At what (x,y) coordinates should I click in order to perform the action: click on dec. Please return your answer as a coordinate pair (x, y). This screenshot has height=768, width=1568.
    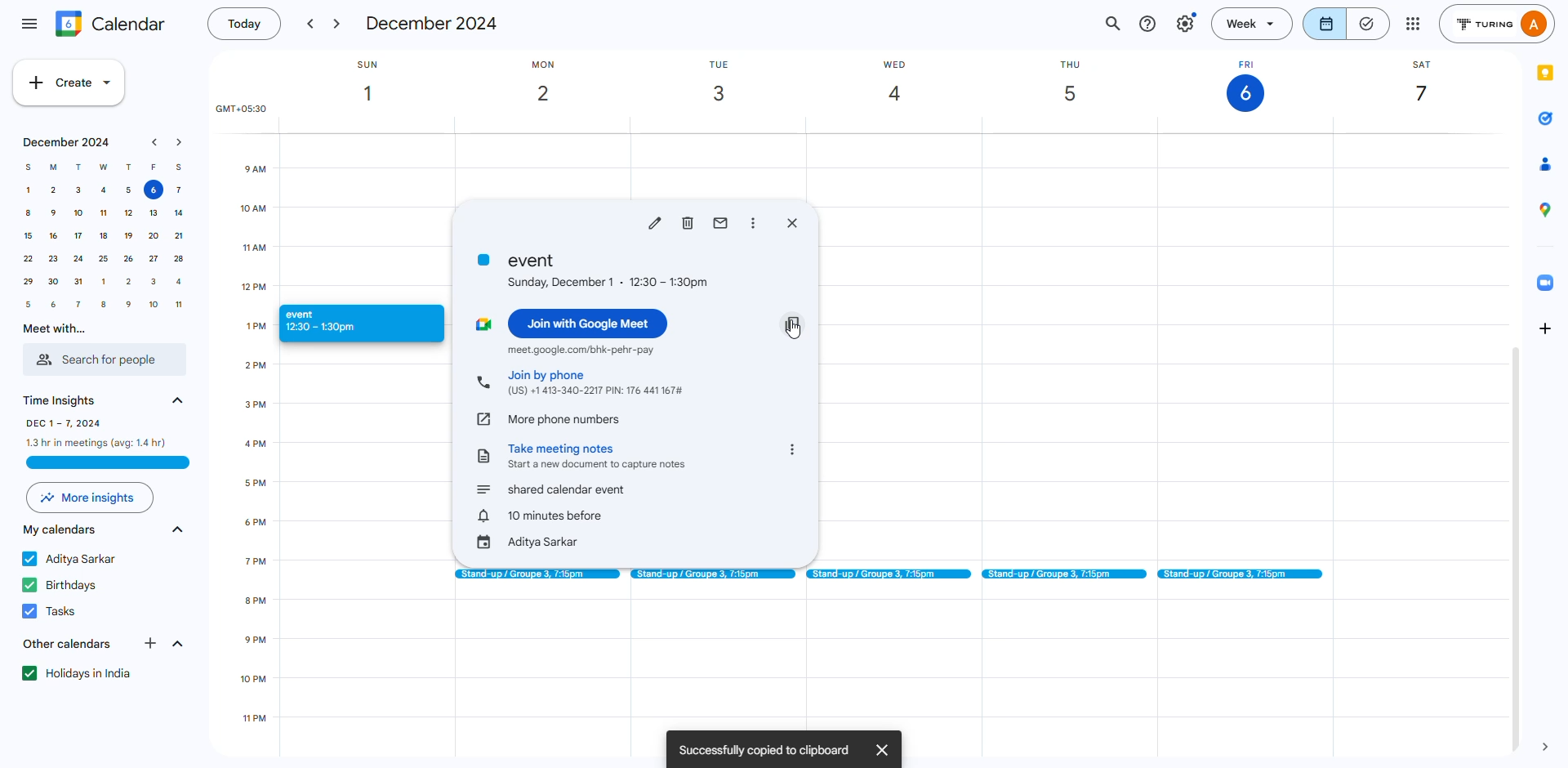
    Looking at the image, I should click on (433, 24).